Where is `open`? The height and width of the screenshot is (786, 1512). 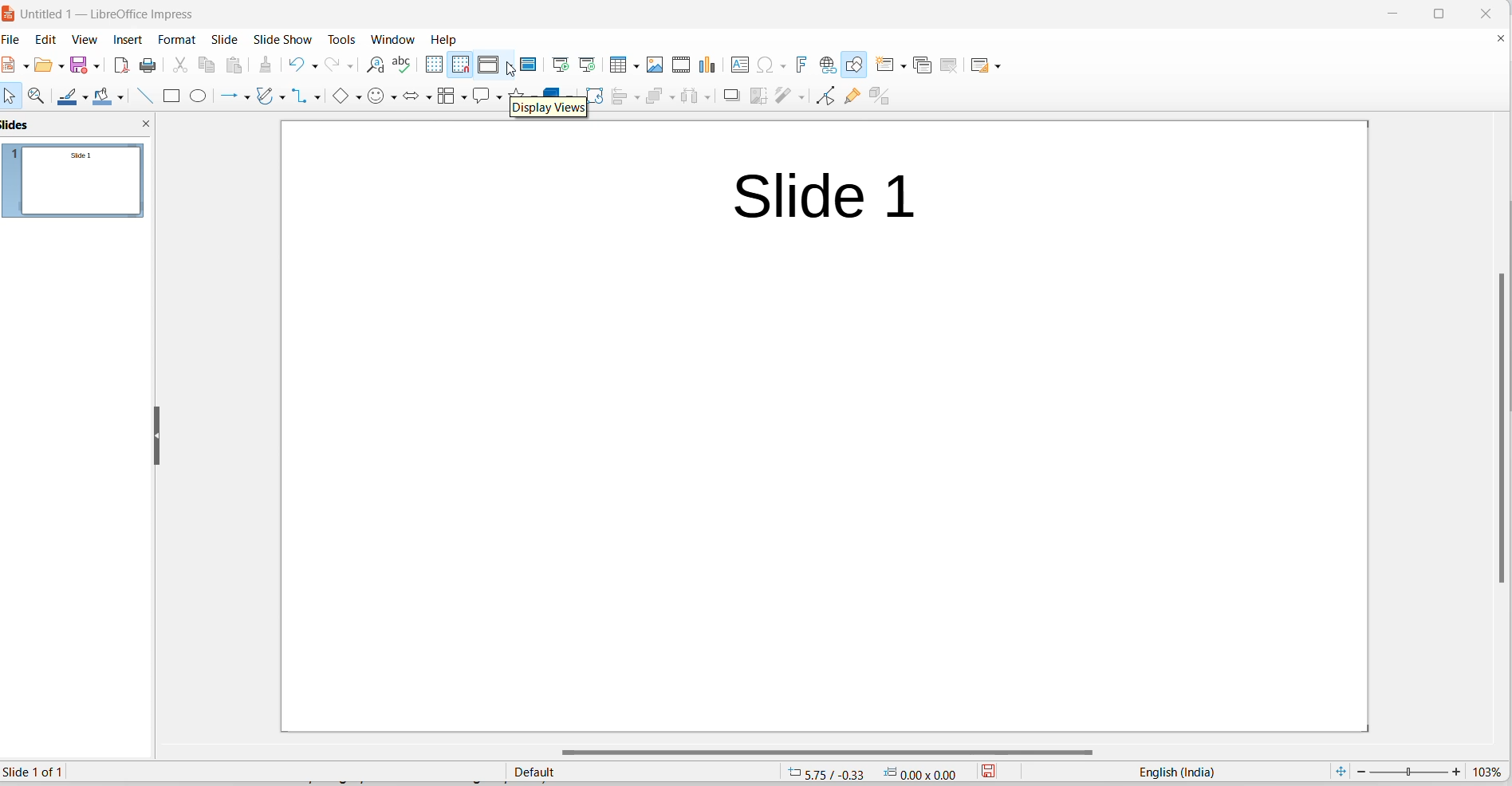 open is located at coordinates (42, 69).